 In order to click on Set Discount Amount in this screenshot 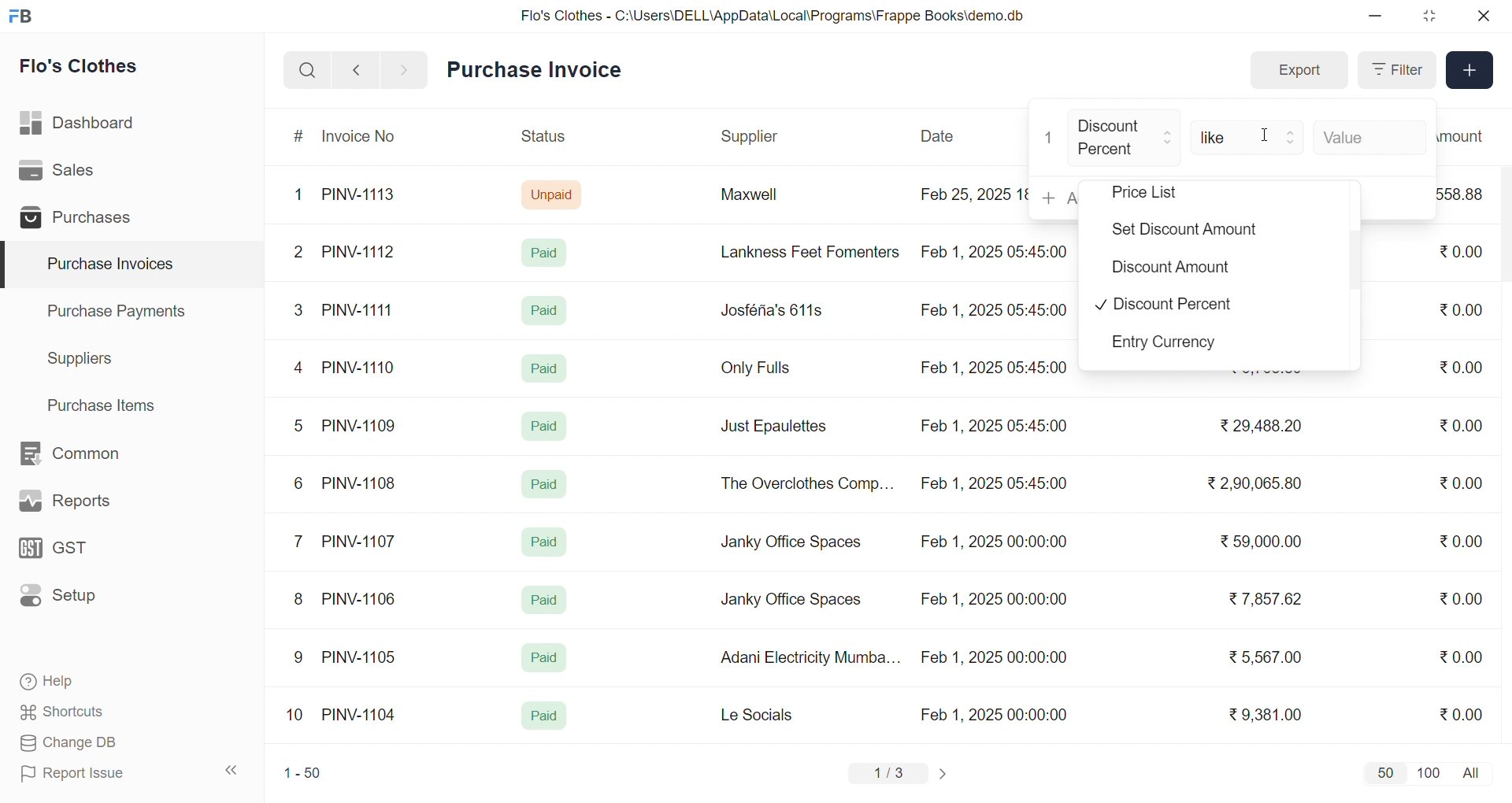, I will do `click(1177, 226)`.